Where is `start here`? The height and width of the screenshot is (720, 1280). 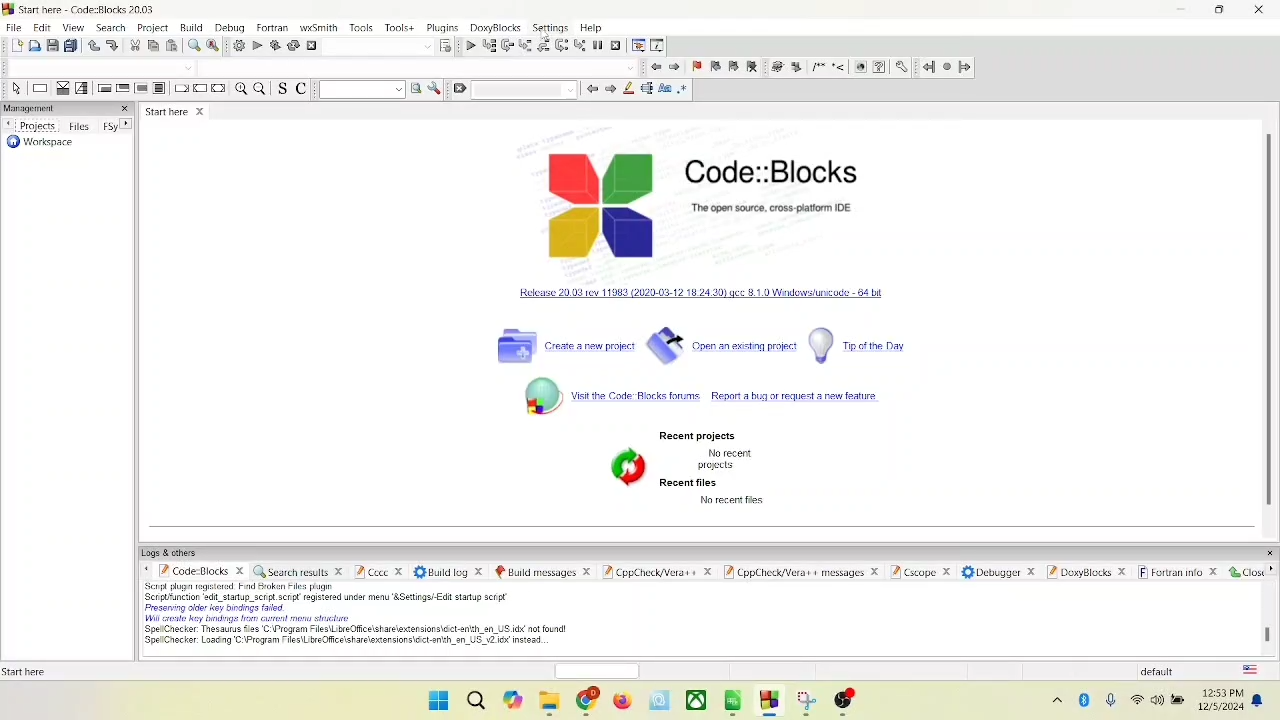
start here is located at coordinates (29, 671).